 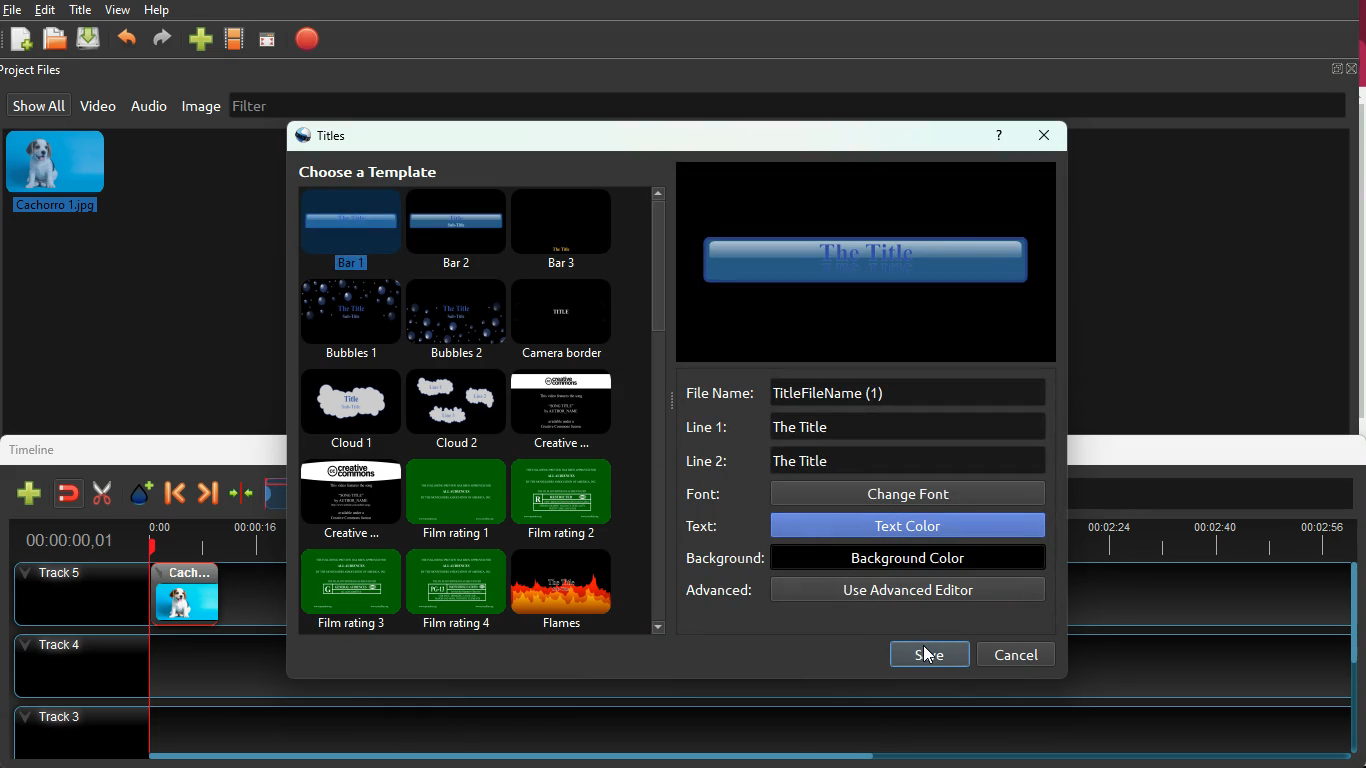 What do you see at coordinates (97, 493) in the screenshot?
I see `cut` at bounding box center [97, 493].